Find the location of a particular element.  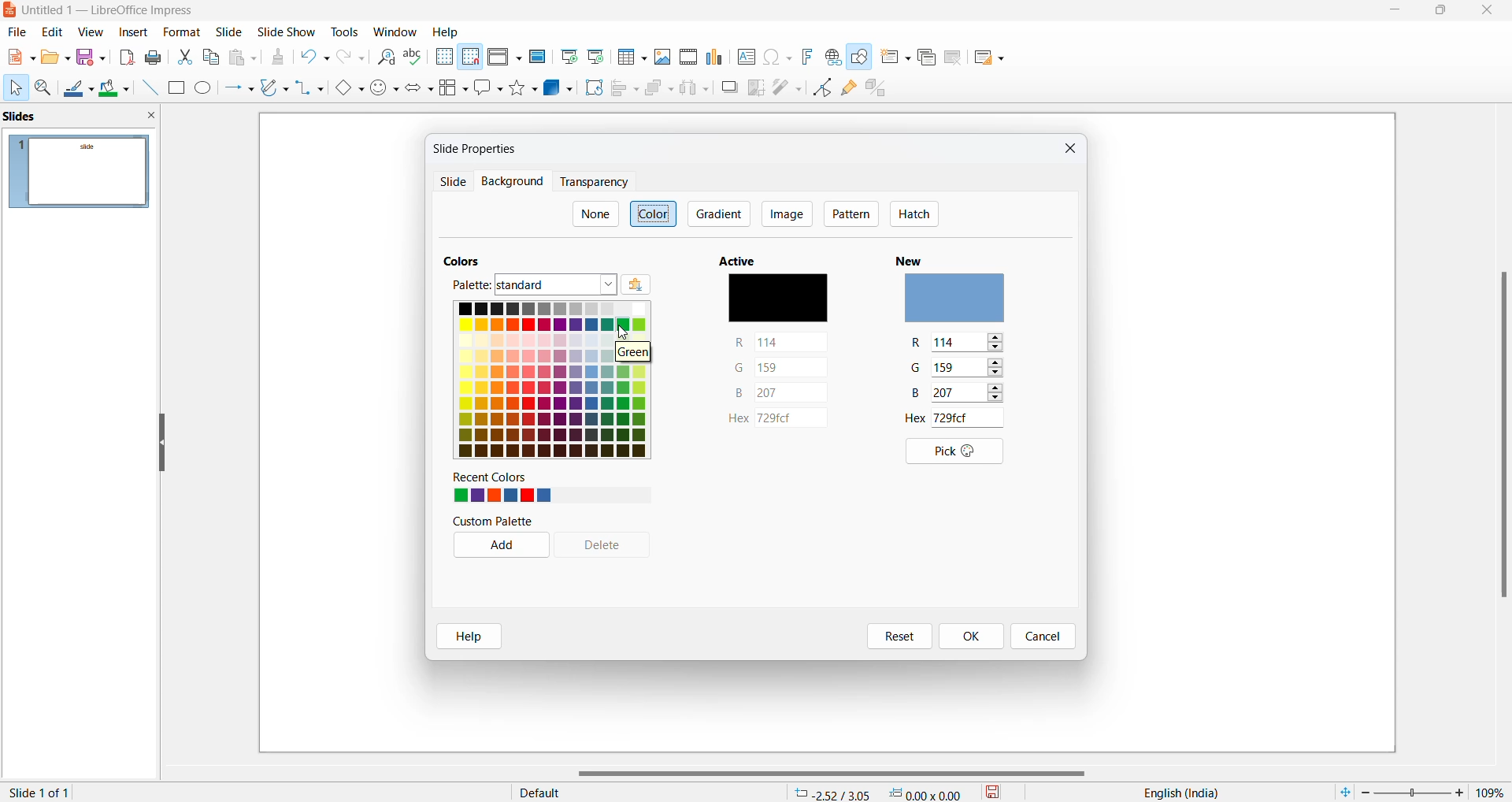

start from current slide is located at coordinates (595, 56).